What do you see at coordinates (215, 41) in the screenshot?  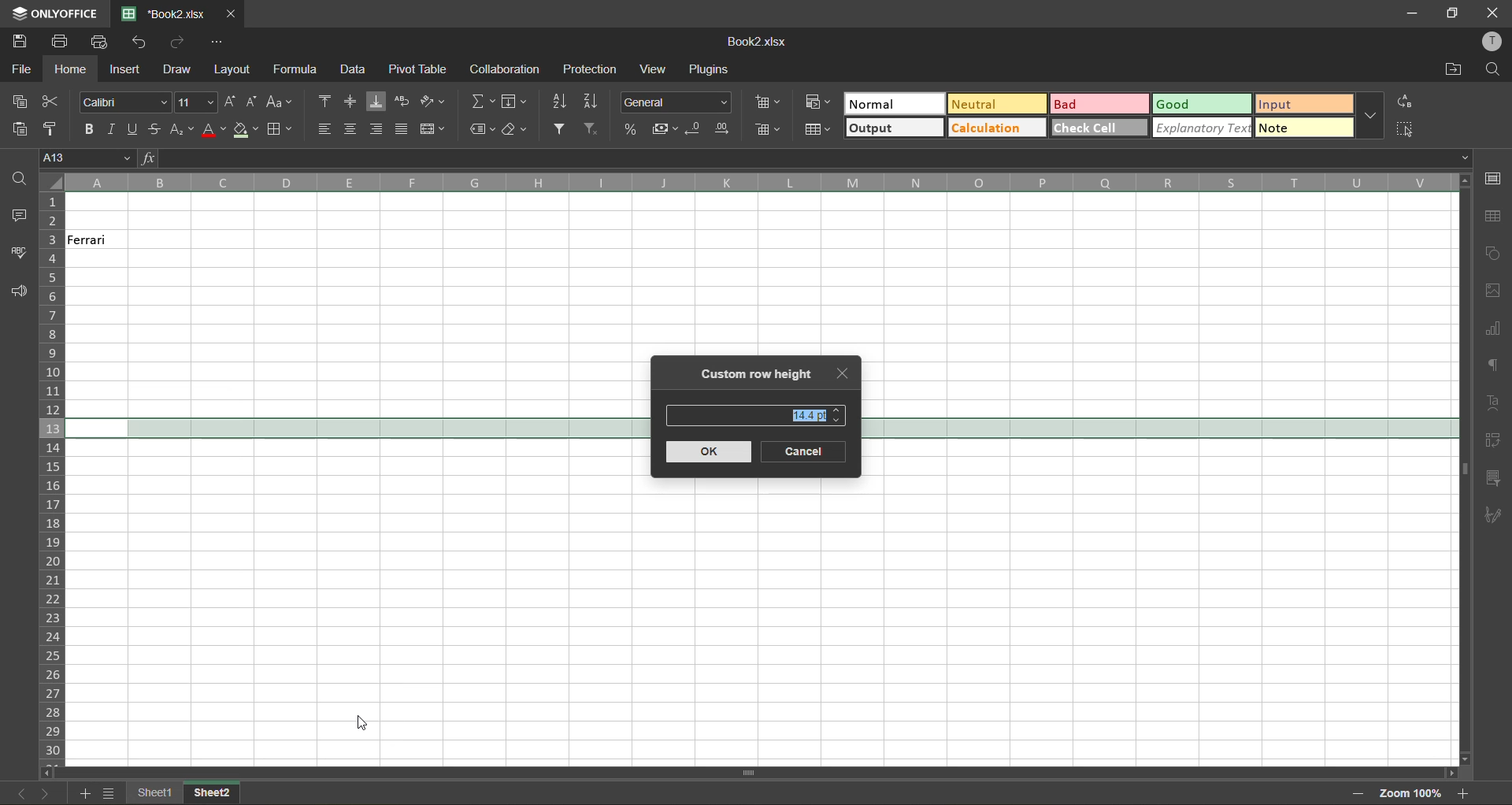 I see `customize quick access toolbar` at bounding box center [215, 41].